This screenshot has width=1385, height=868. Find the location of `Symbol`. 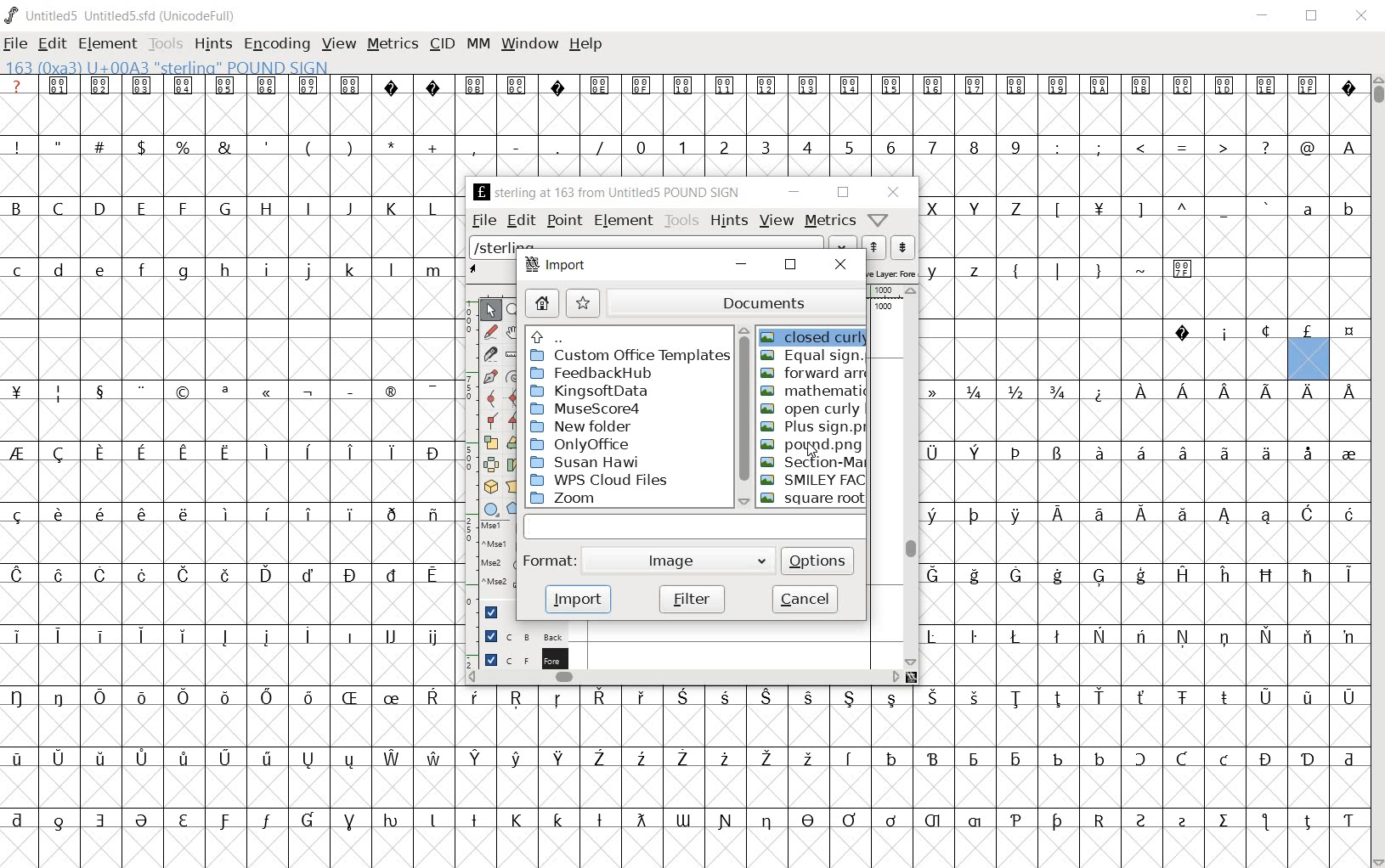

Symbol is located at coordinates (143, 84).